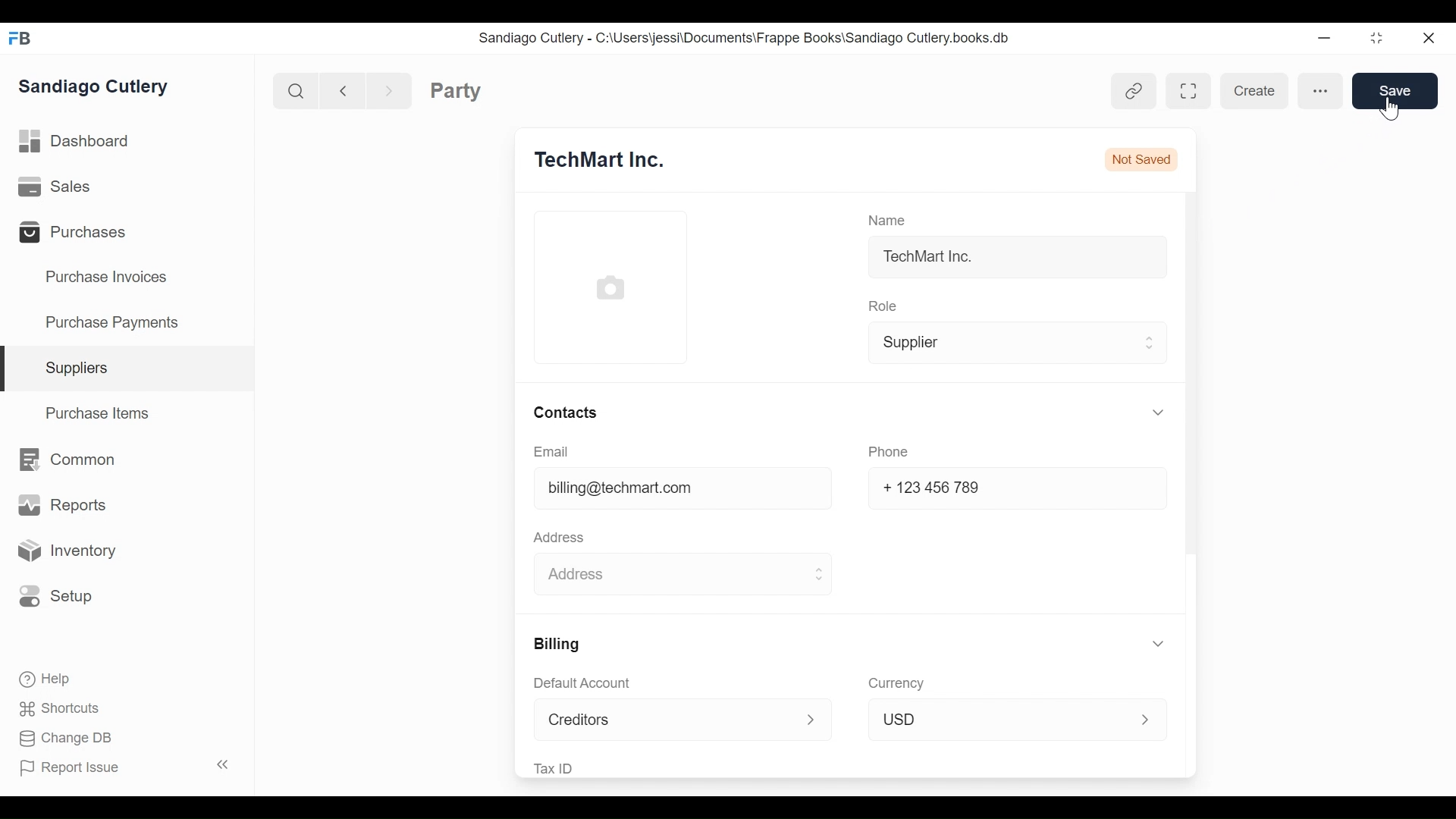 This screenshot has width=1456, height=819. Describe the element at coordinates (55, 186) in the screenshot. I see `Sales` at that location.